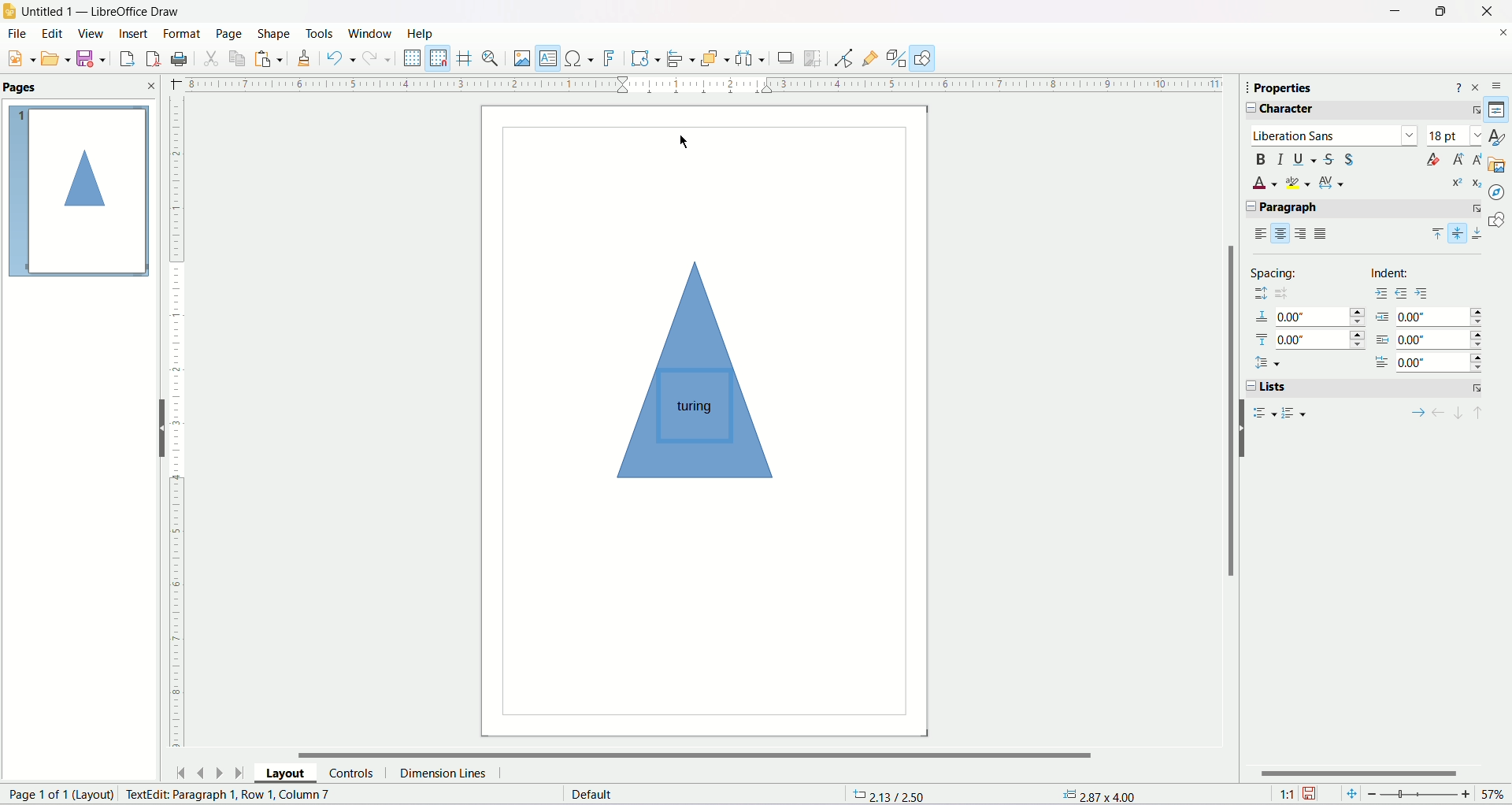  Describe the element at coordinates (1474, 236) in the screenshot. I see `align bottom` at that location.